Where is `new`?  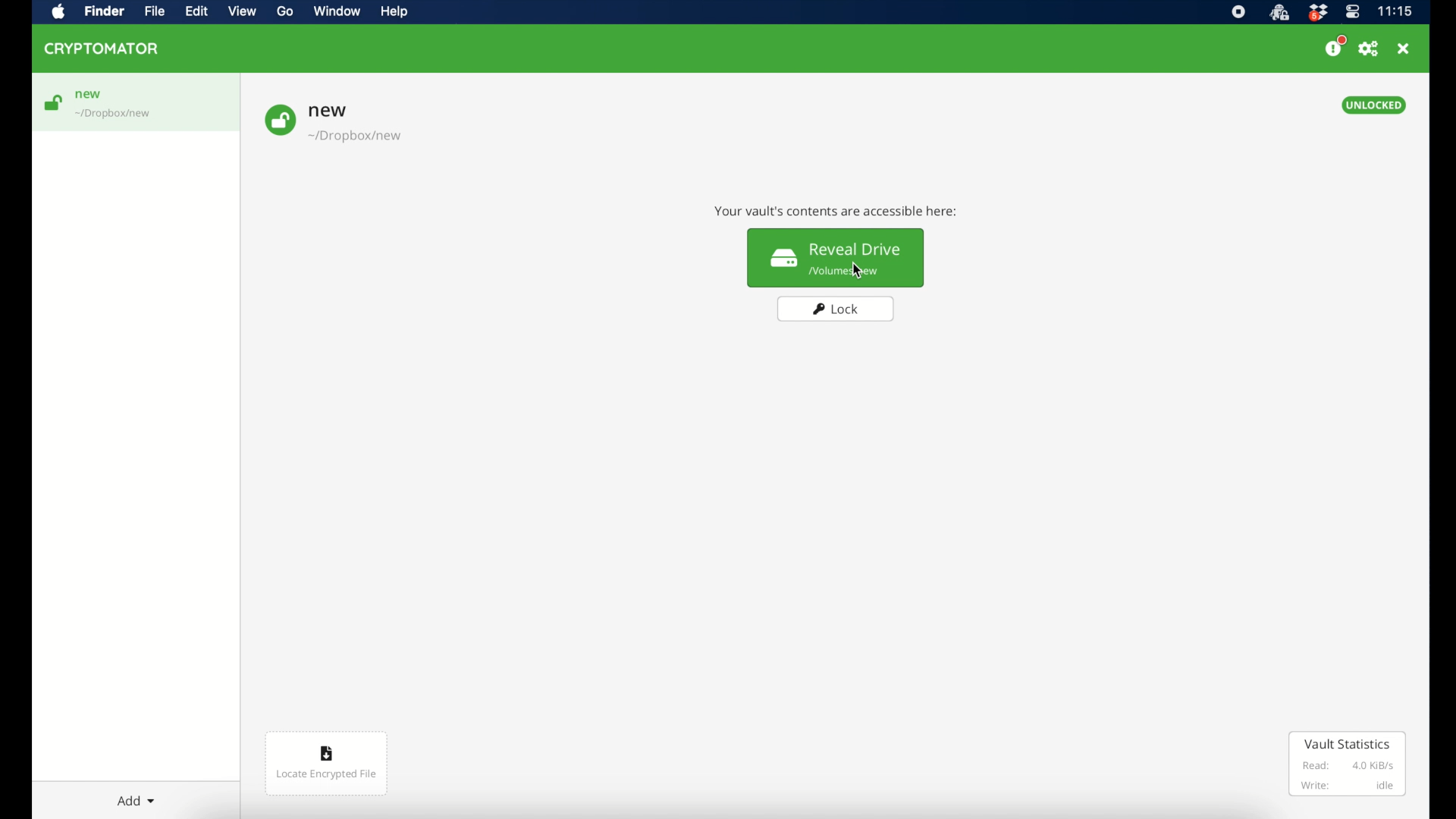 new is located at coordinates (89, 95).